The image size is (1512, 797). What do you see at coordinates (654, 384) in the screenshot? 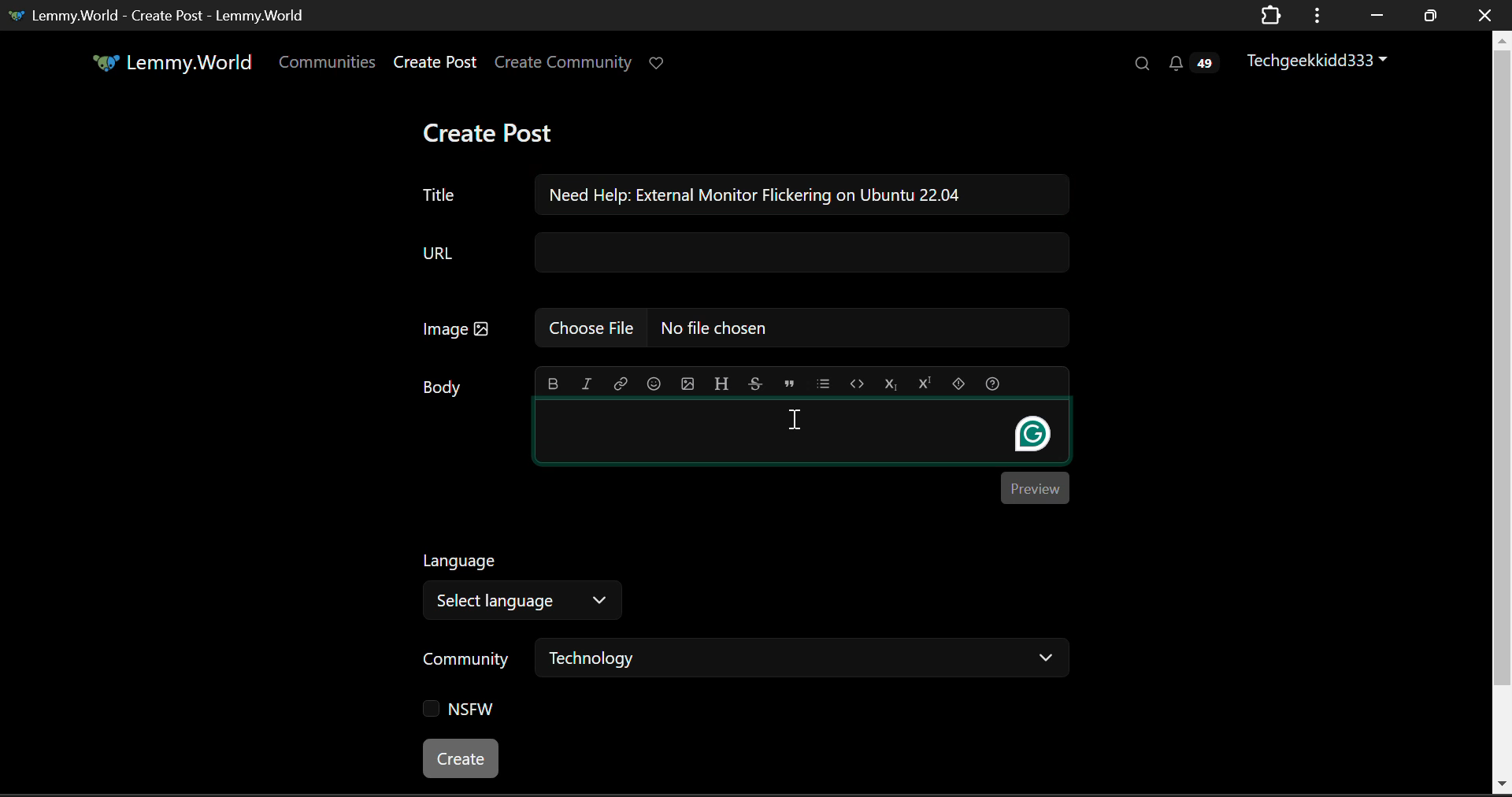
I see `Insert Emoji` at bounding box center [654, 384].